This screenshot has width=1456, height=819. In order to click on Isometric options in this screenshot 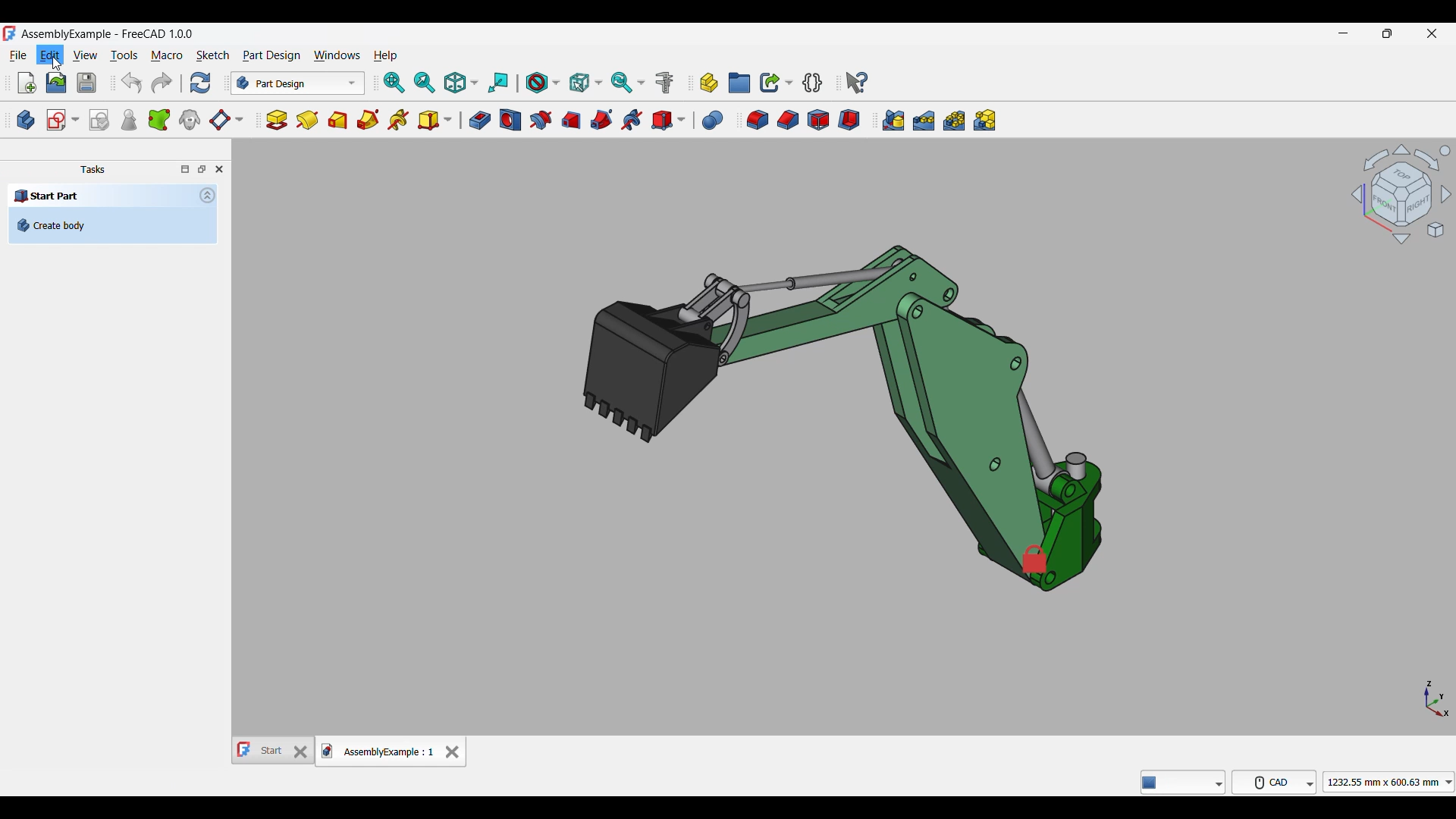, I will do `click(461, 83)`.